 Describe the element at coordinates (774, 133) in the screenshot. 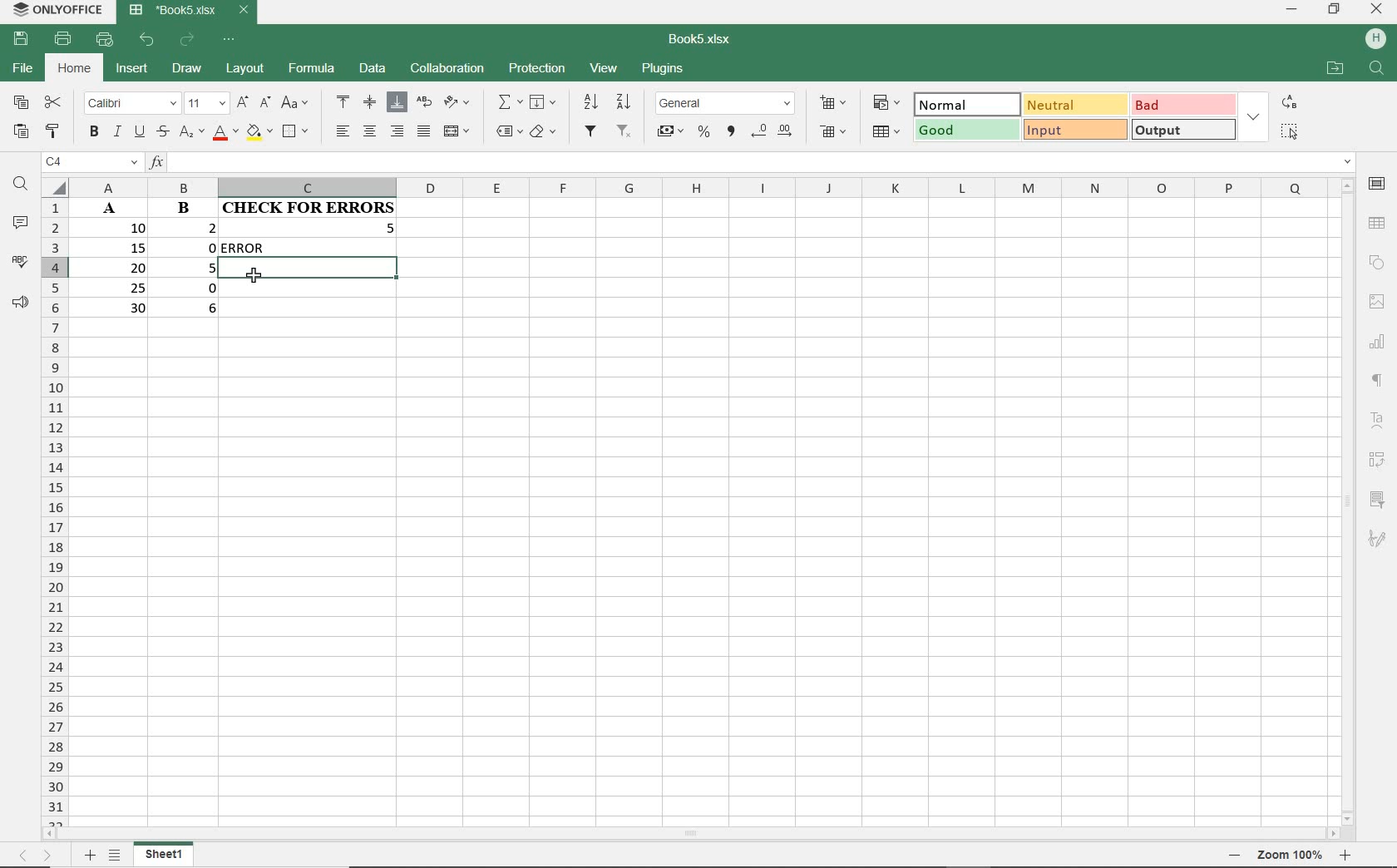

I see `CHANGE DECIMAL` at that location.